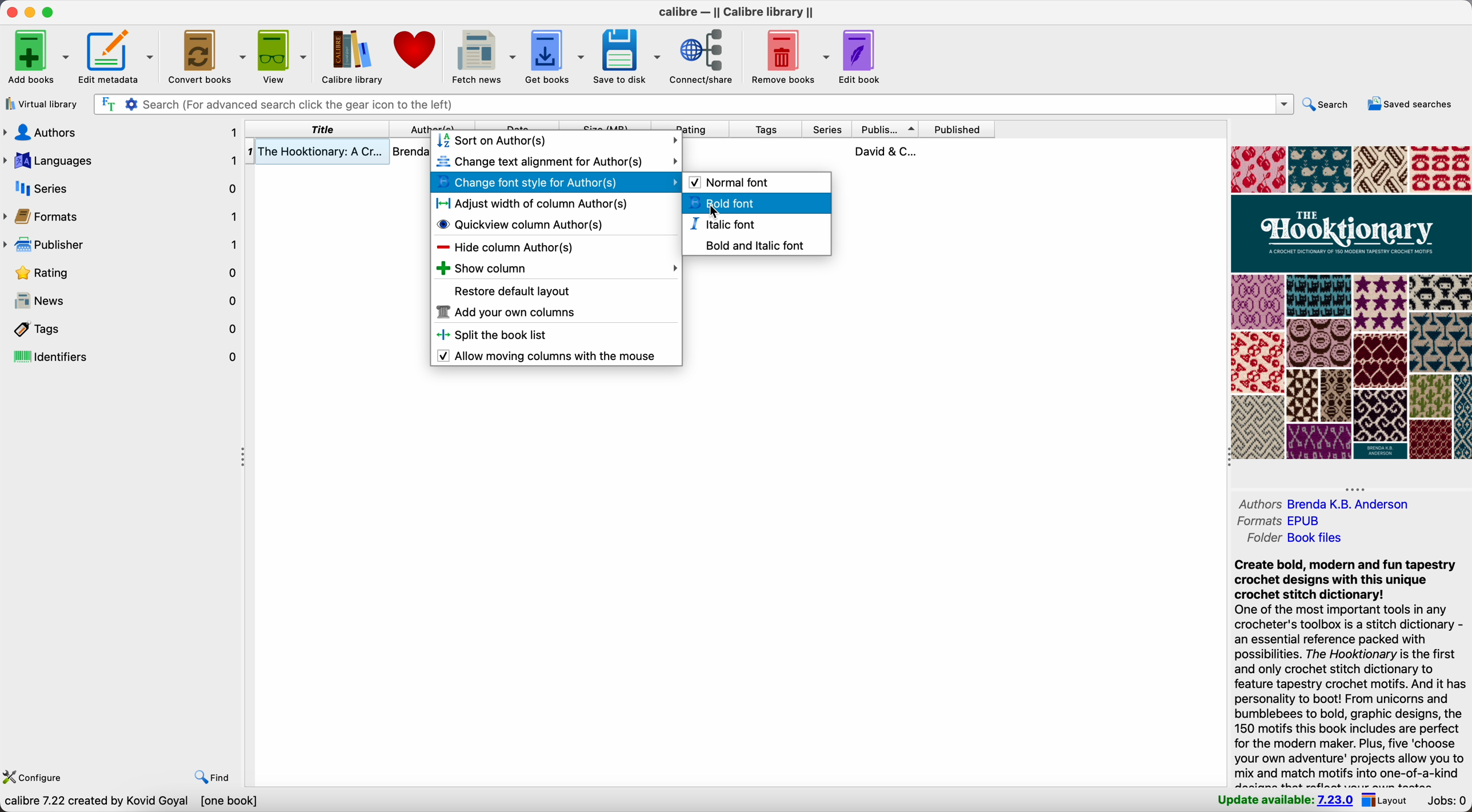  I want to click on bold and italic font, so click(754, 244).